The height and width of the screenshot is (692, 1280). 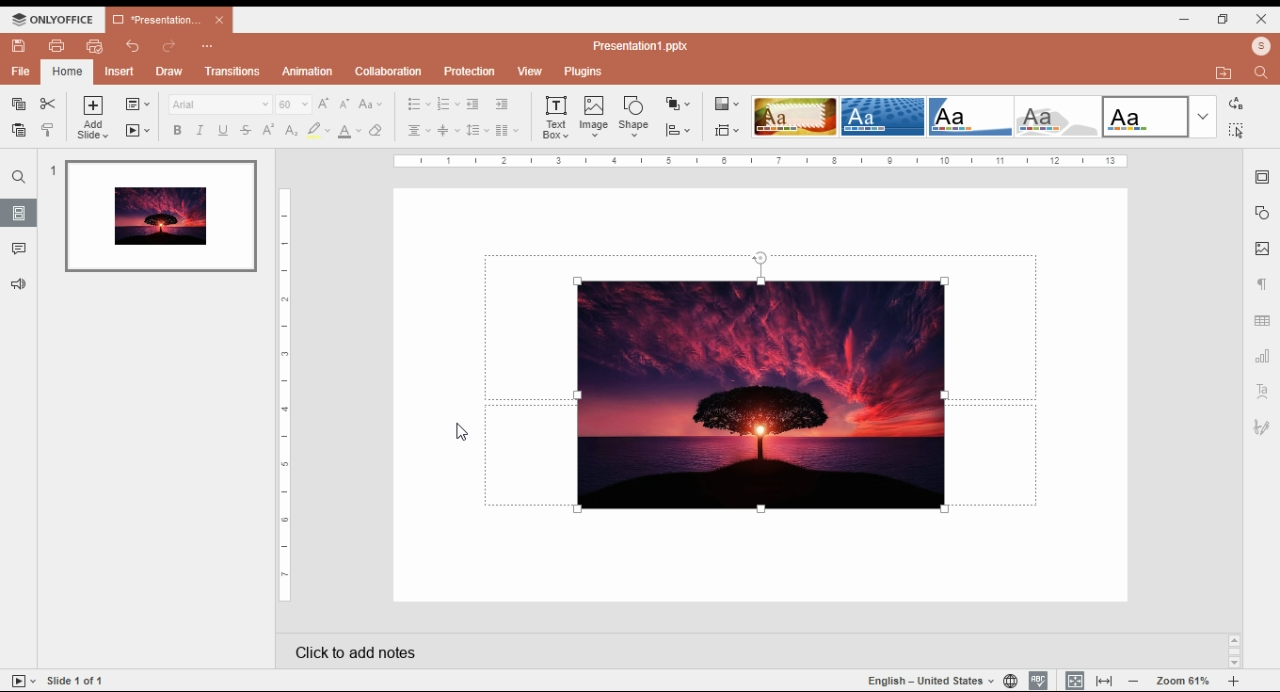 What do you see at coordinates (345, 104) in the screenshot?
I see `decrement font size` at bounding box center [345, 104].